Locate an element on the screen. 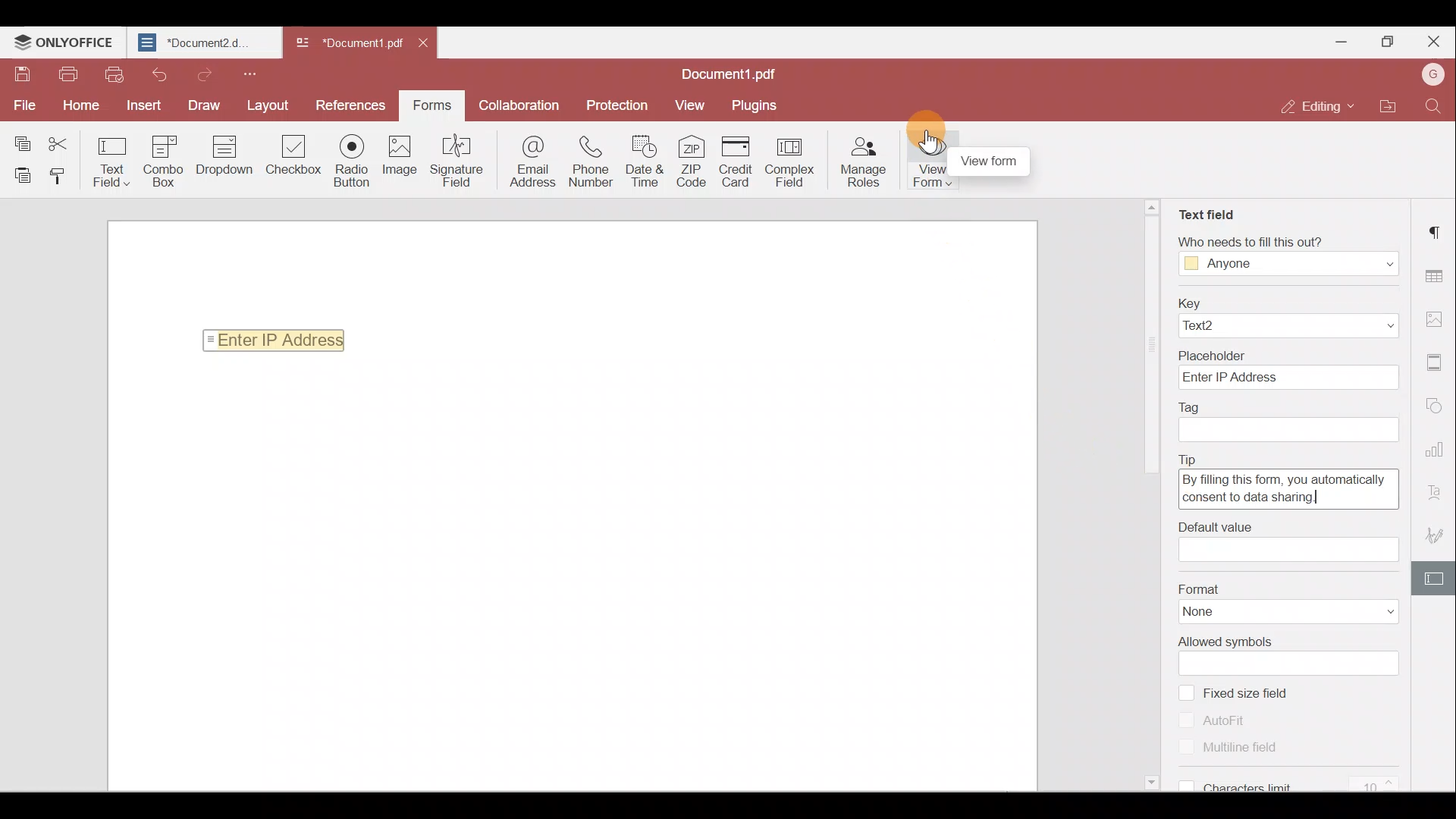 This screenshot has height=819, width=1456. Manage roles is located at coordinates (868, 163).